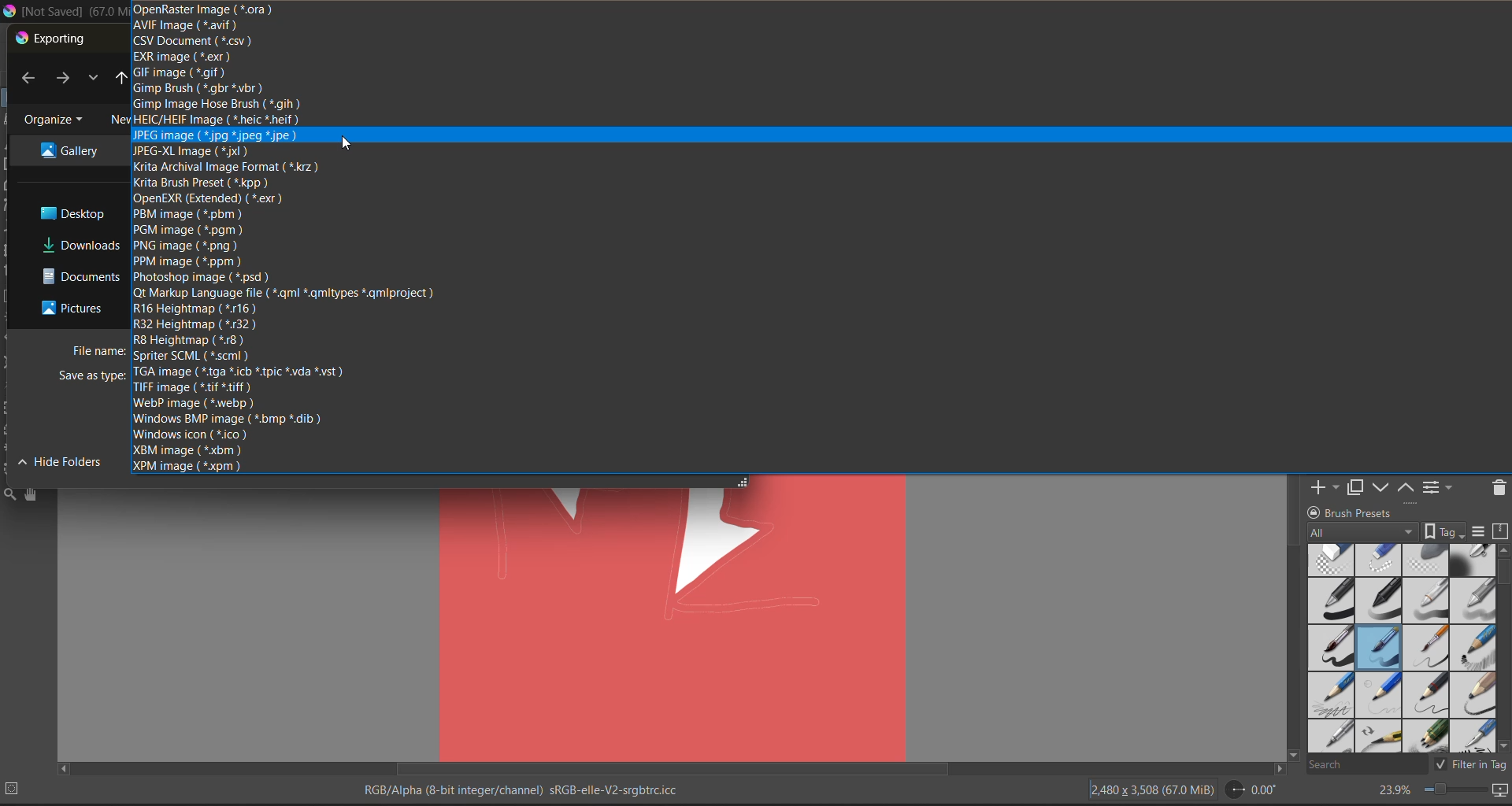  What do you see at coordinates (1363, 490) in the screenshot?
I see `duplicate layer ` at bounding box center [1363, 490].